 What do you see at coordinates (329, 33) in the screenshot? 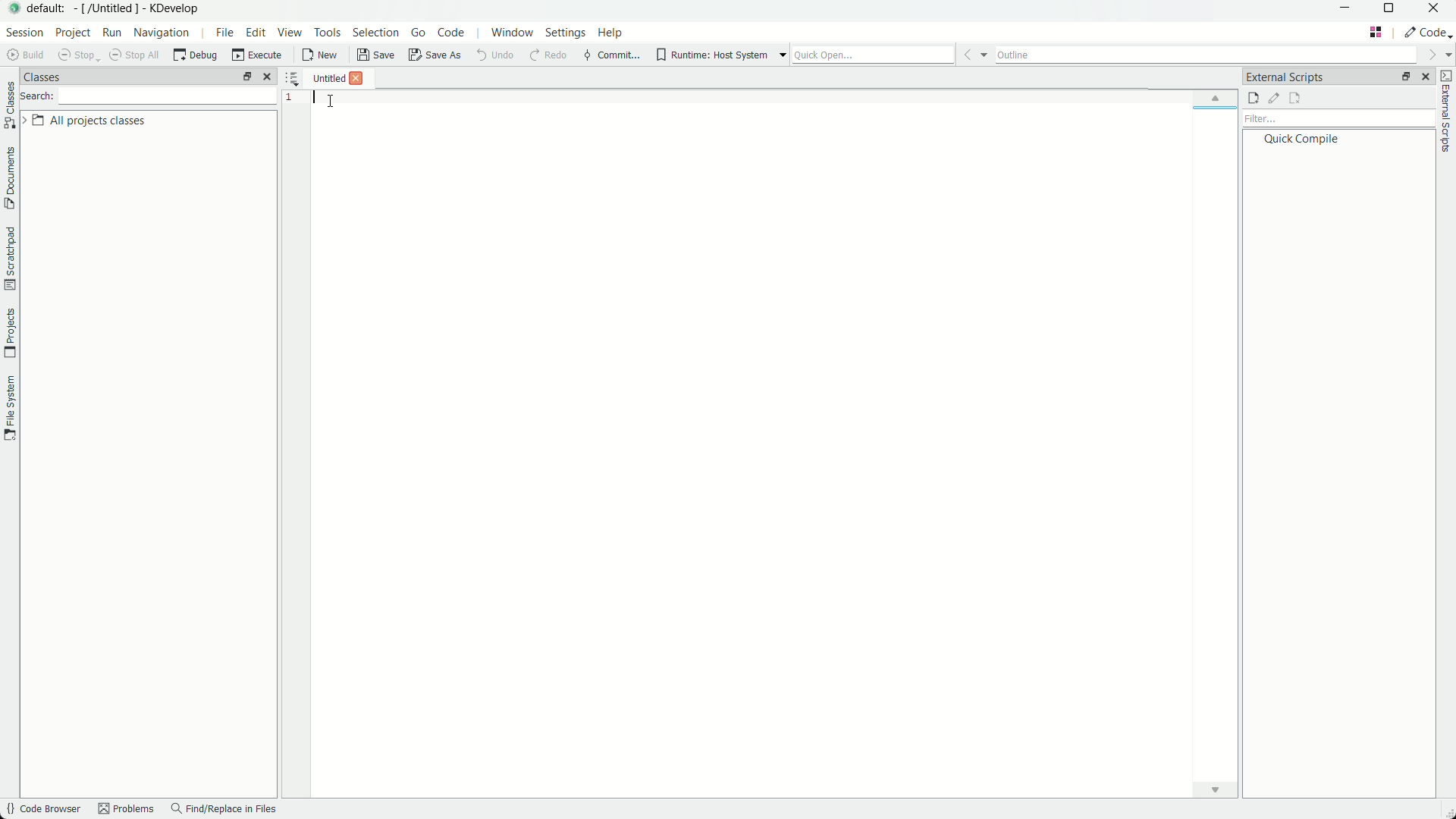
I see `tools` at bounding box center [329, 33].